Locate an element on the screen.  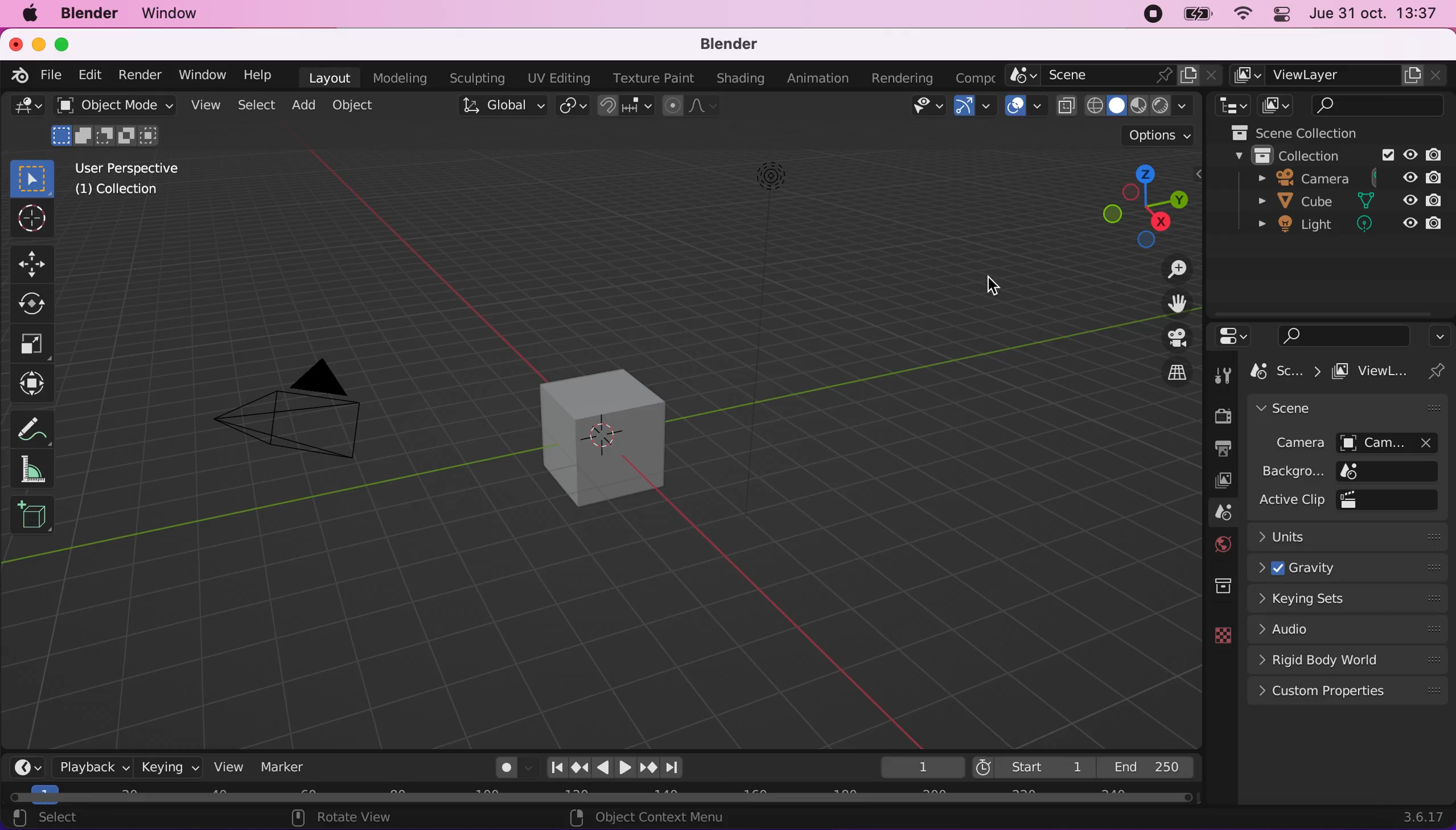
display the view is located at coordinates (1169, 338).